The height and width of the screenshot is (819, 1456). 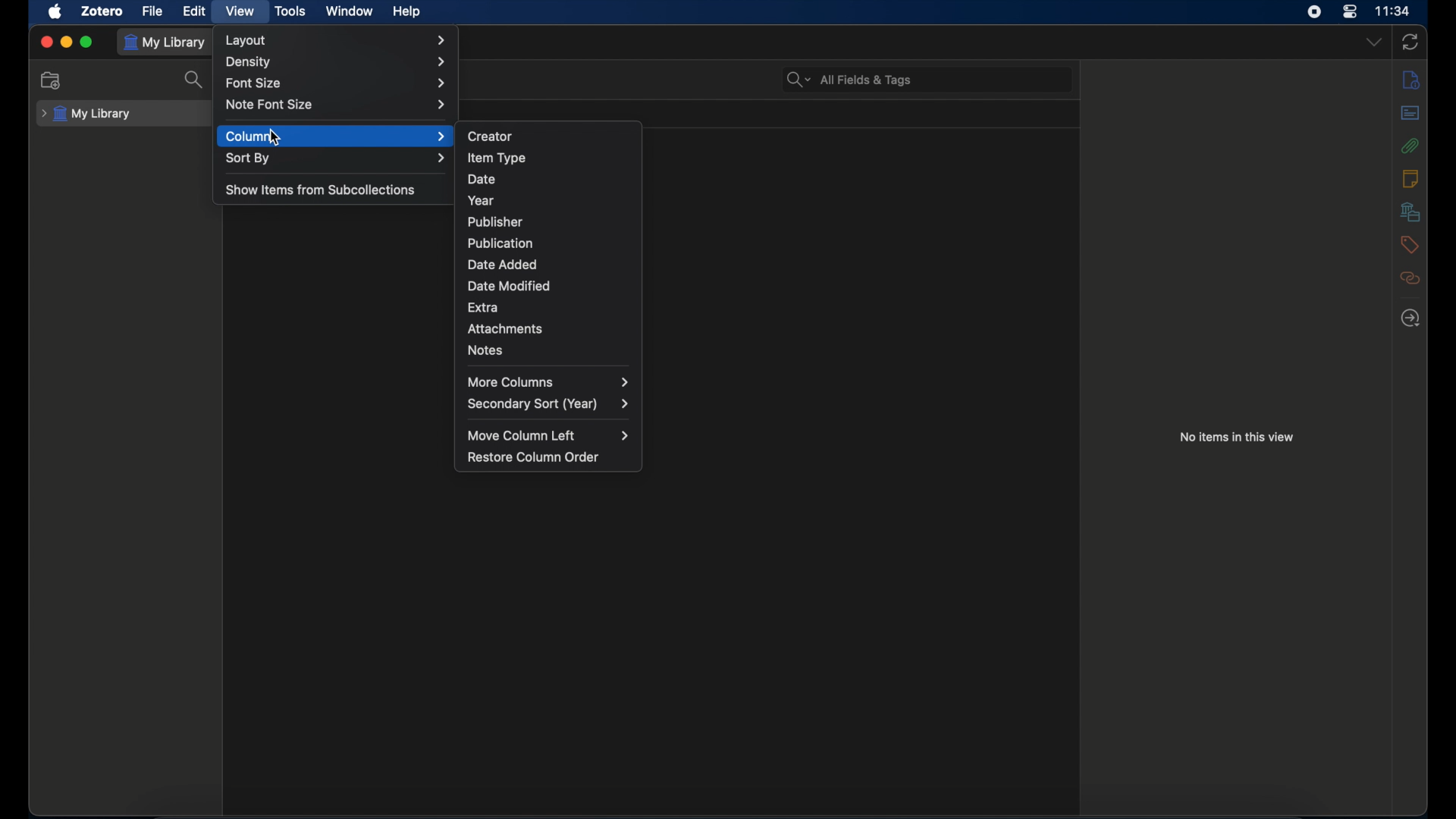 What do you see at coordinates (504, 329) in the screenshot?
I see `attachments` at bounding box center [504, 329].